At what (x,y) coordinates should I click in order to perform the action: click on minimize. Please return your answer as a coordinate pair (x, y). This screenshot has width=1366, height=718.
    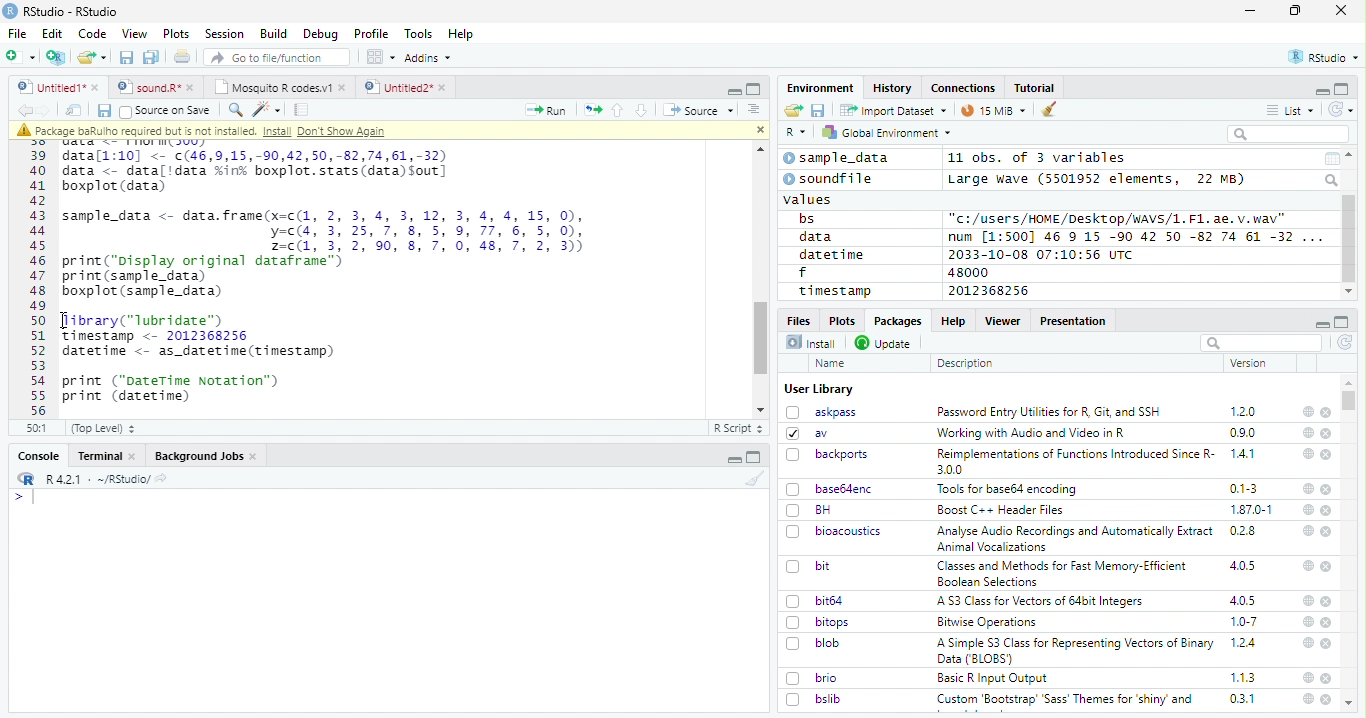
    Looking at the image, I should click on (733, 89).